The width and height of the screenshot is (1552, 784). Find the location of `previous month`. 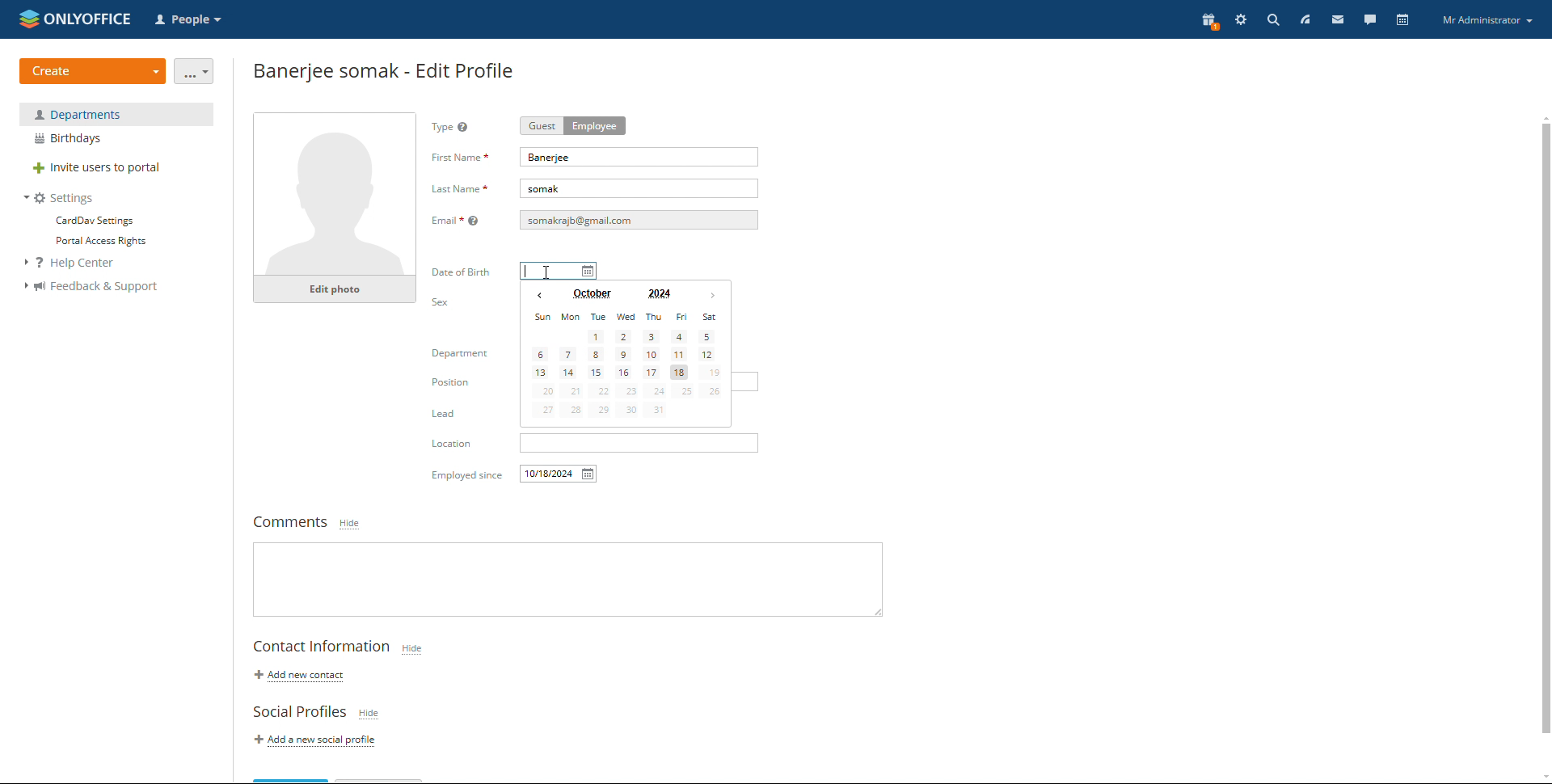

previous month is located at coordinates (541, 295).